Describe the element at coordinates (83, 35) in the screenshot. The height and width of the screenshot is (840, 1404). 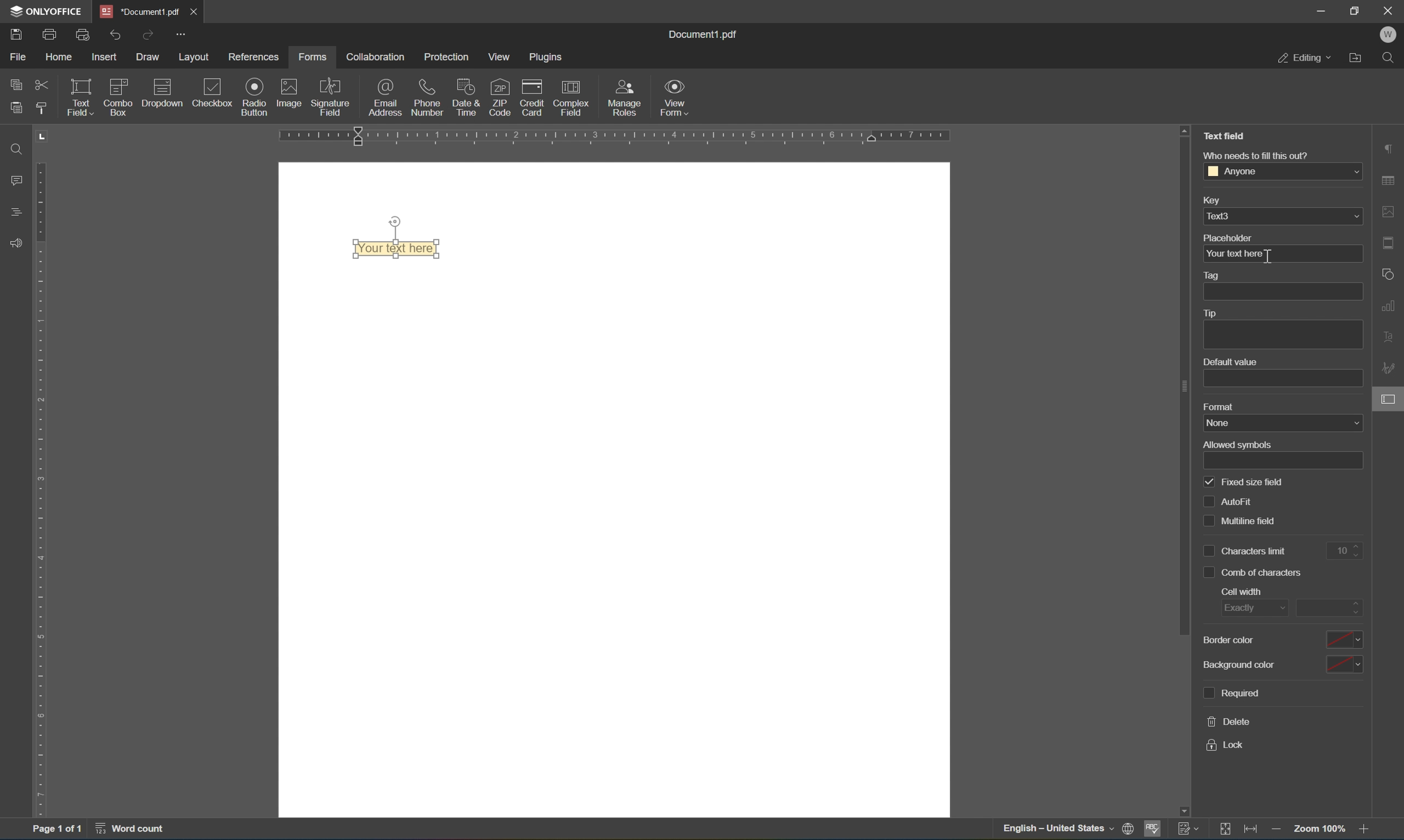
I see `quick print` at that location.